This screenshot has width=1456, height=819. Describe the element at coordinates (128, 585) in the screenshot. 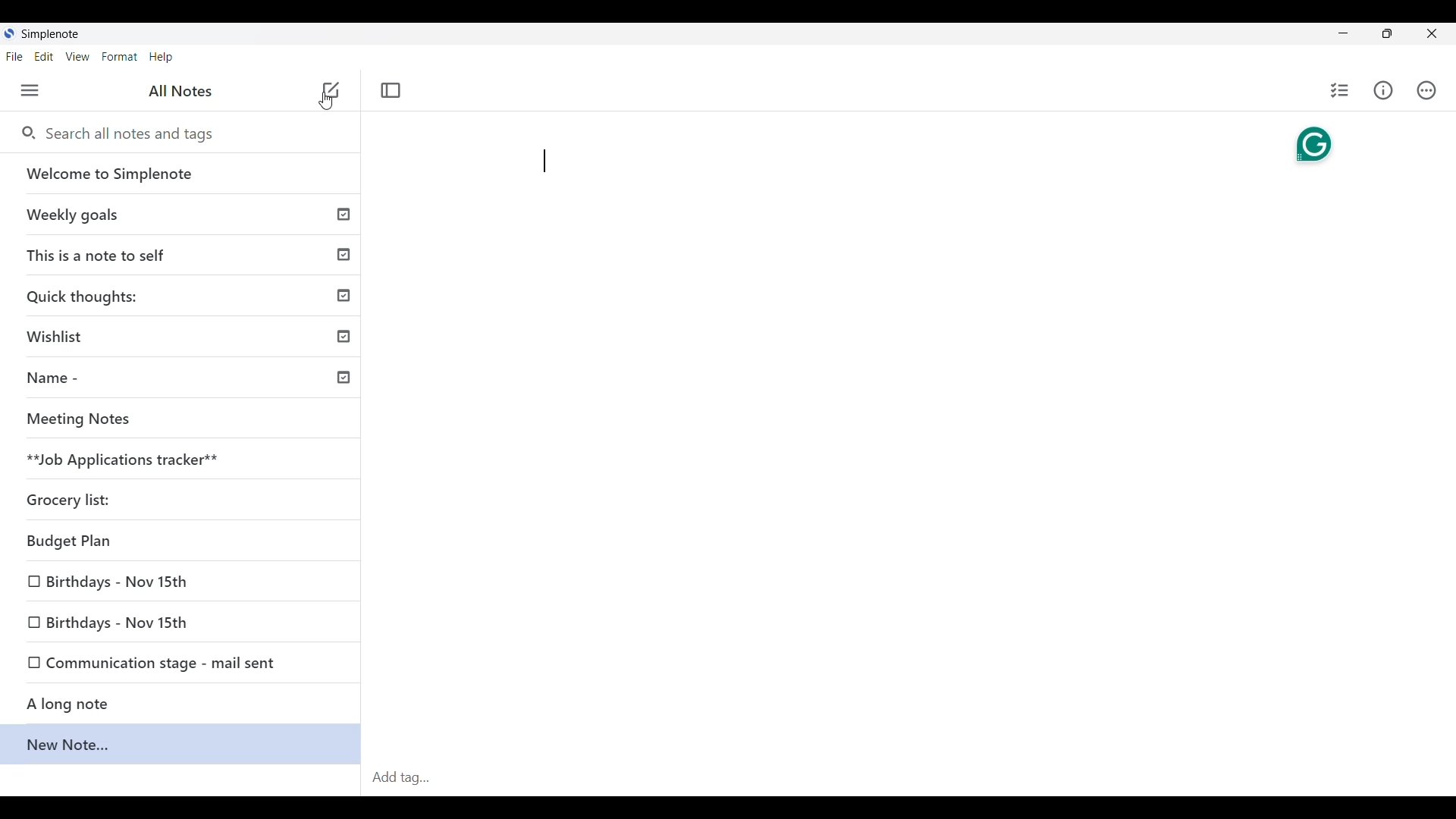

I see `Birthdays-Nov 15th` at that location.